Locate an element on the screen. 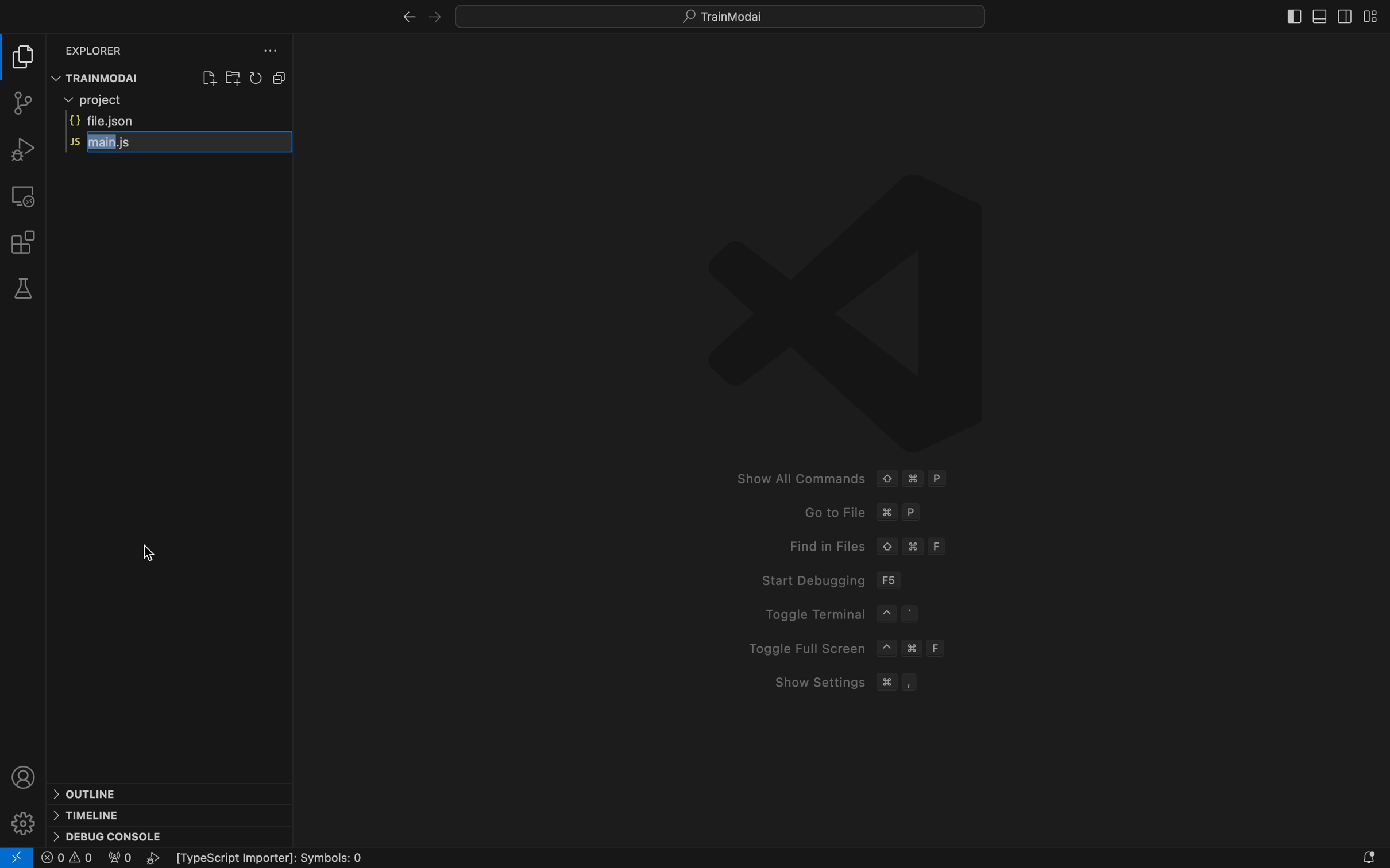 The image size is (1390, 868). Typescript is located at coordinates (286, 858).